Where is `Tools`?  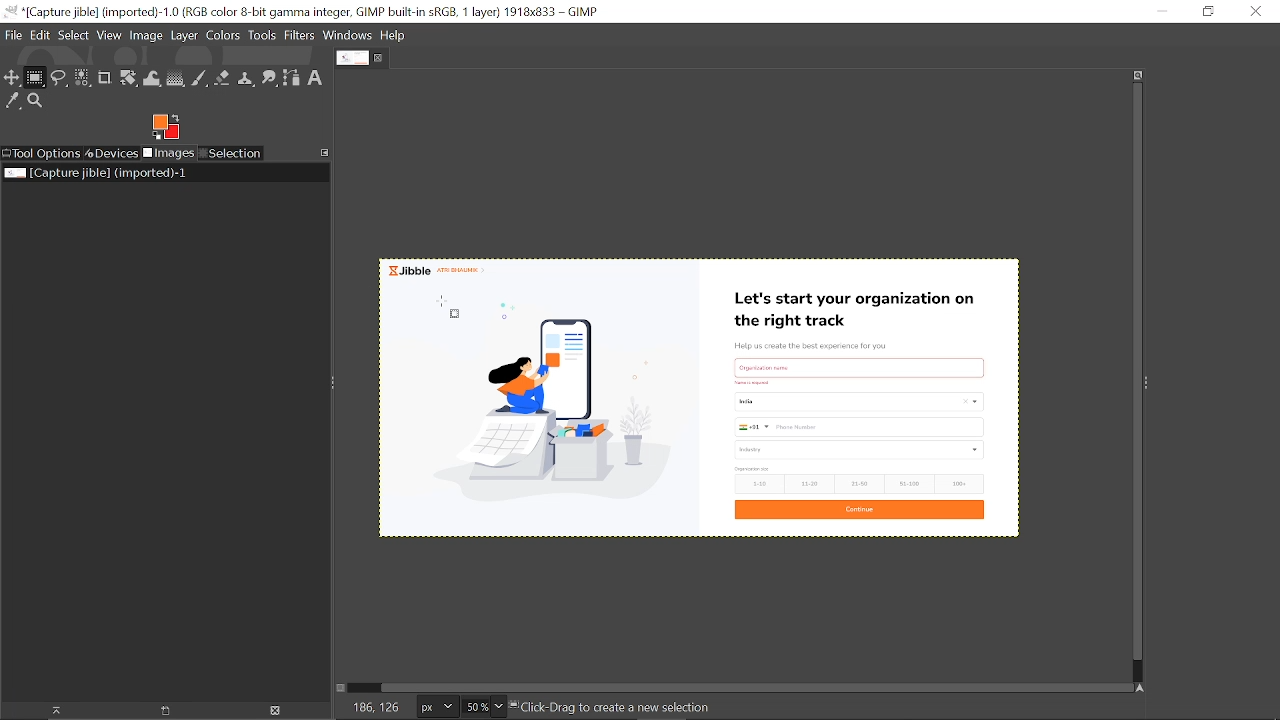 Tools is located at coordinates (263, 35).